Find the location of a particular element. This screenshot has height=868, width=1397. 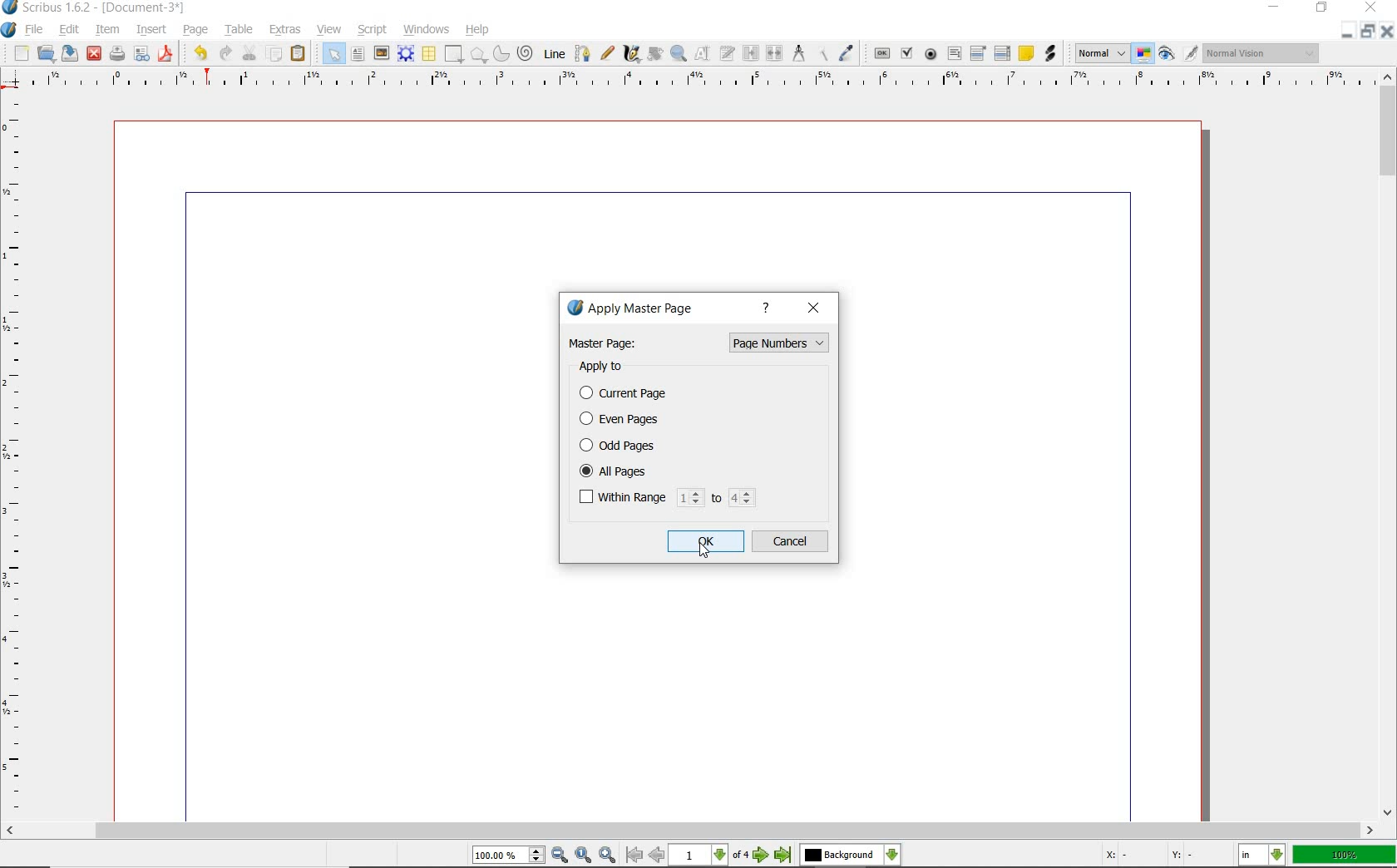

spiral is located at coordinates (525, 51).